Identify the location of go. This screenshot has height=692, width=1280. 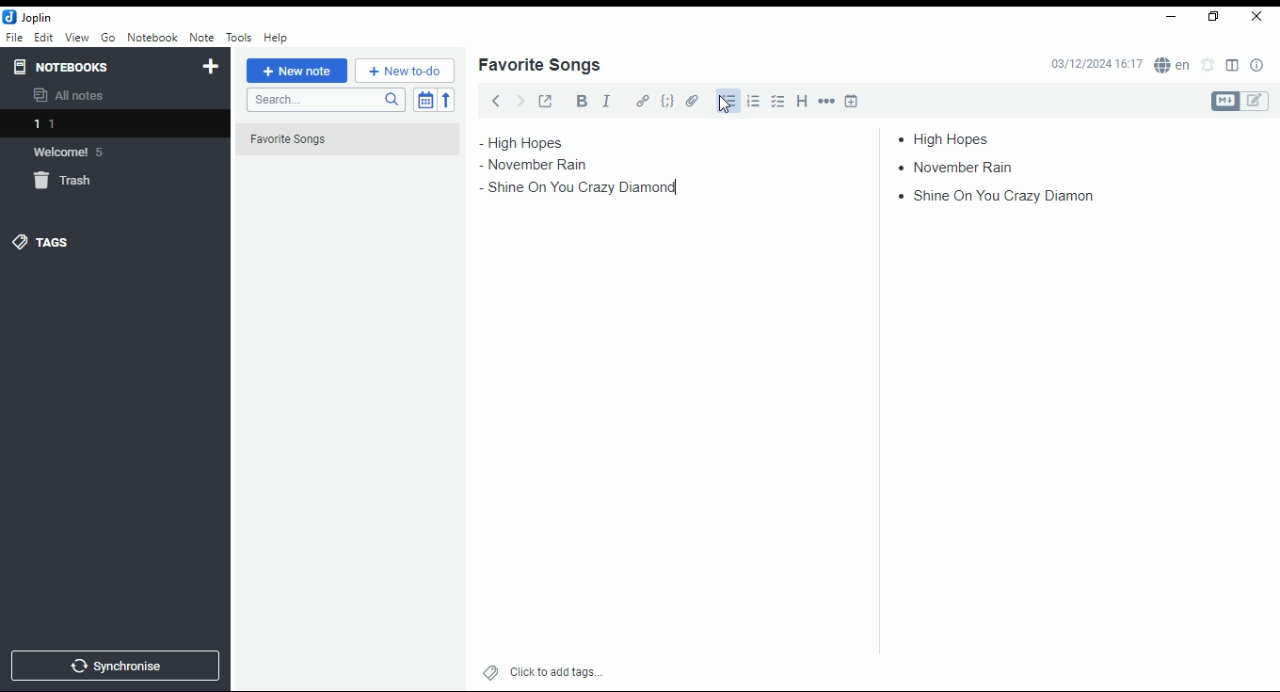
(110, 40).